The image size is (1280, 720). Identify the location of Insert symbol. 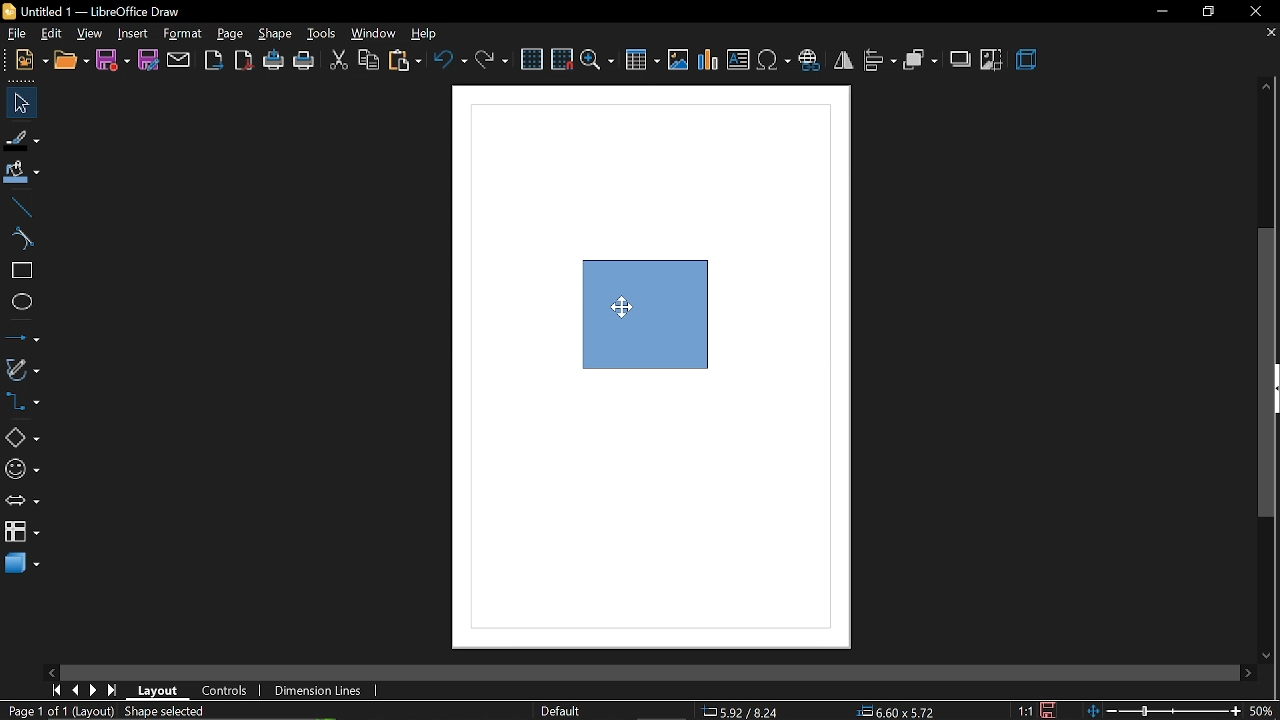
(774, 63).